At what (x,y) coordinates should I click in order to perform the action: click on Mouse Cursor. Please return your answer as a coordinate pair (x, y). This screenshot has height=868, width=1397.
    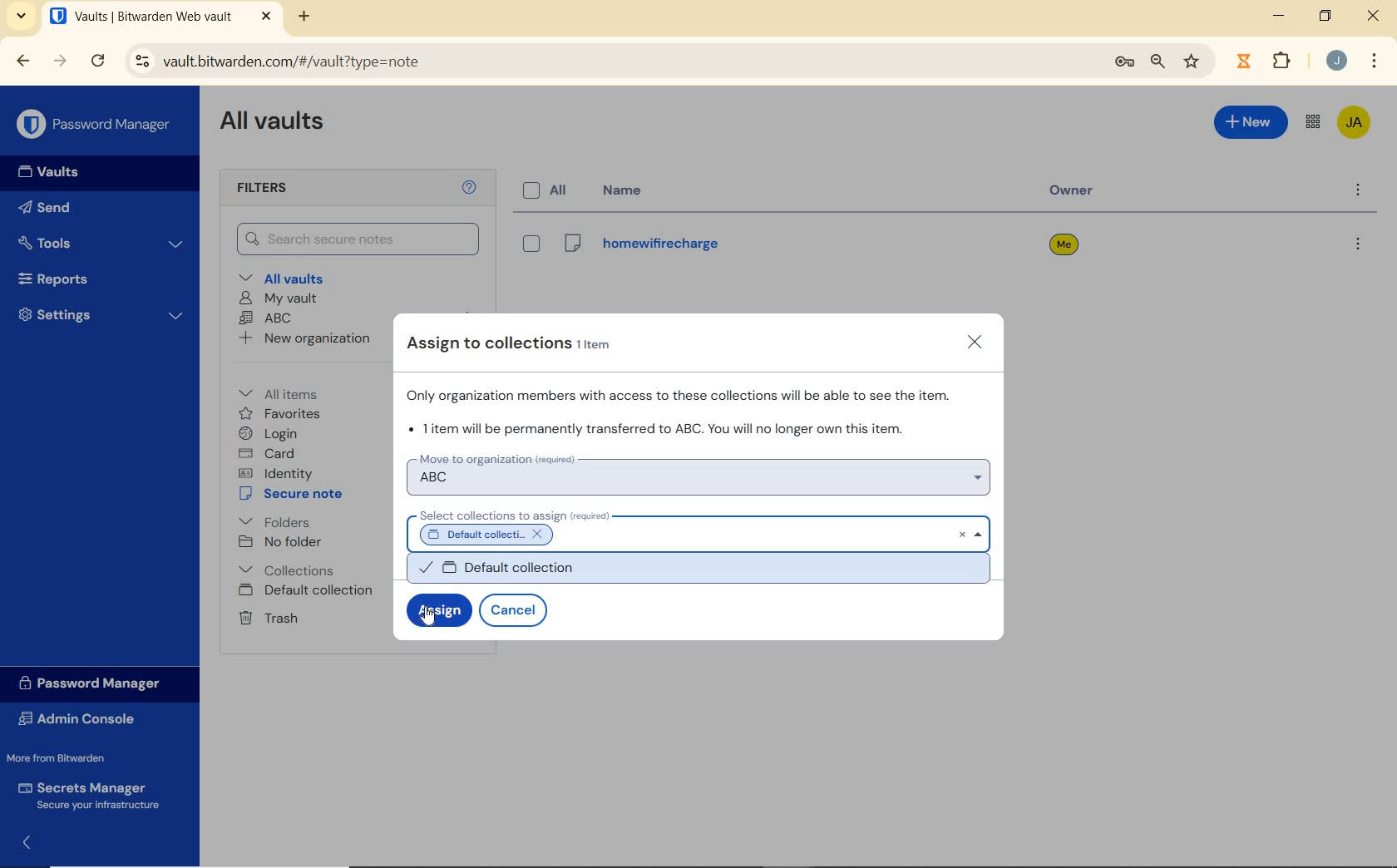
    Looking at the image, I should click on (431, 622).